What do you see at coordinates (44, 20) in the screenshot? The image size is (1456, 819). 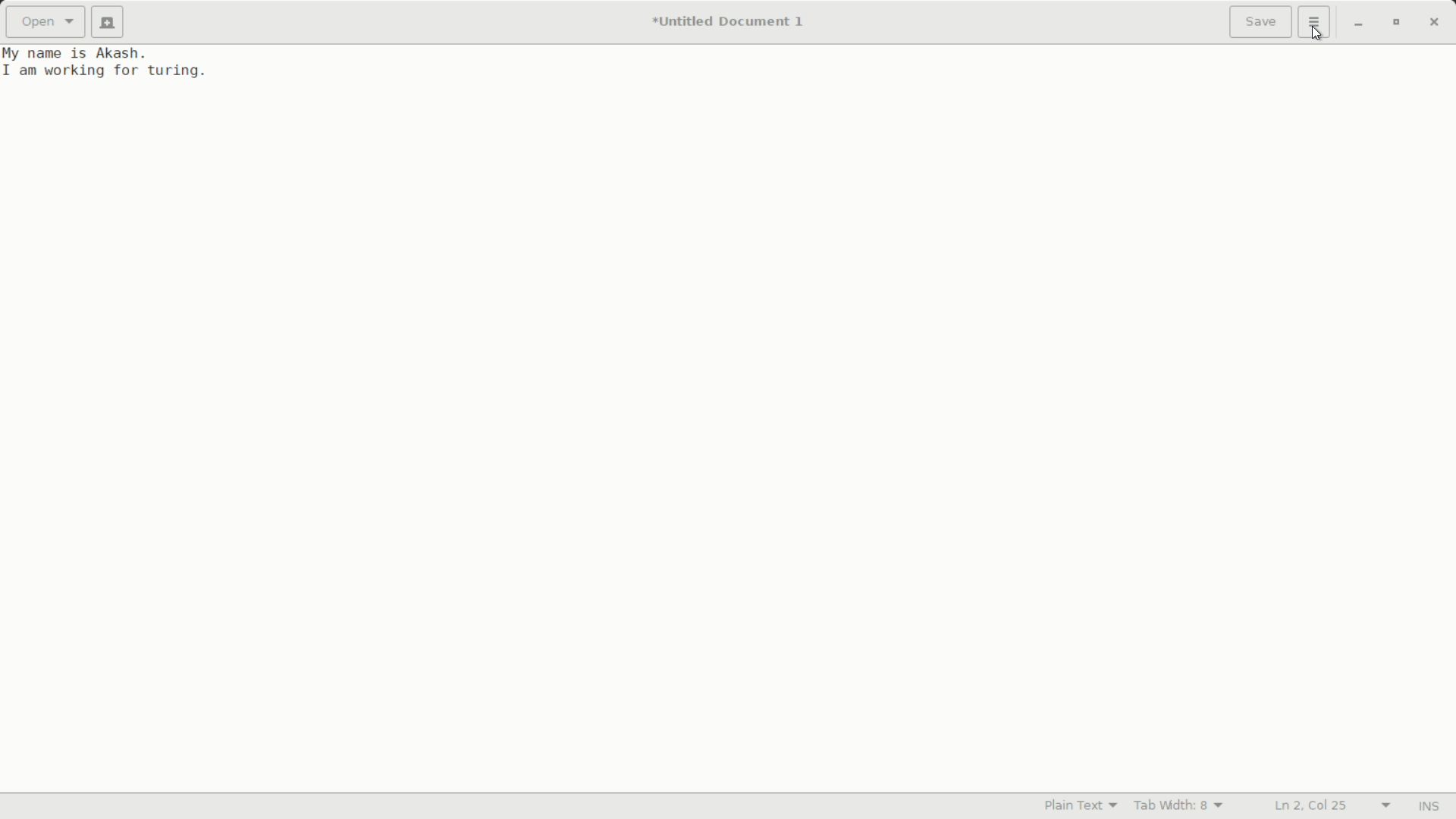 I see `open a file` at bounding box center [44, 20].